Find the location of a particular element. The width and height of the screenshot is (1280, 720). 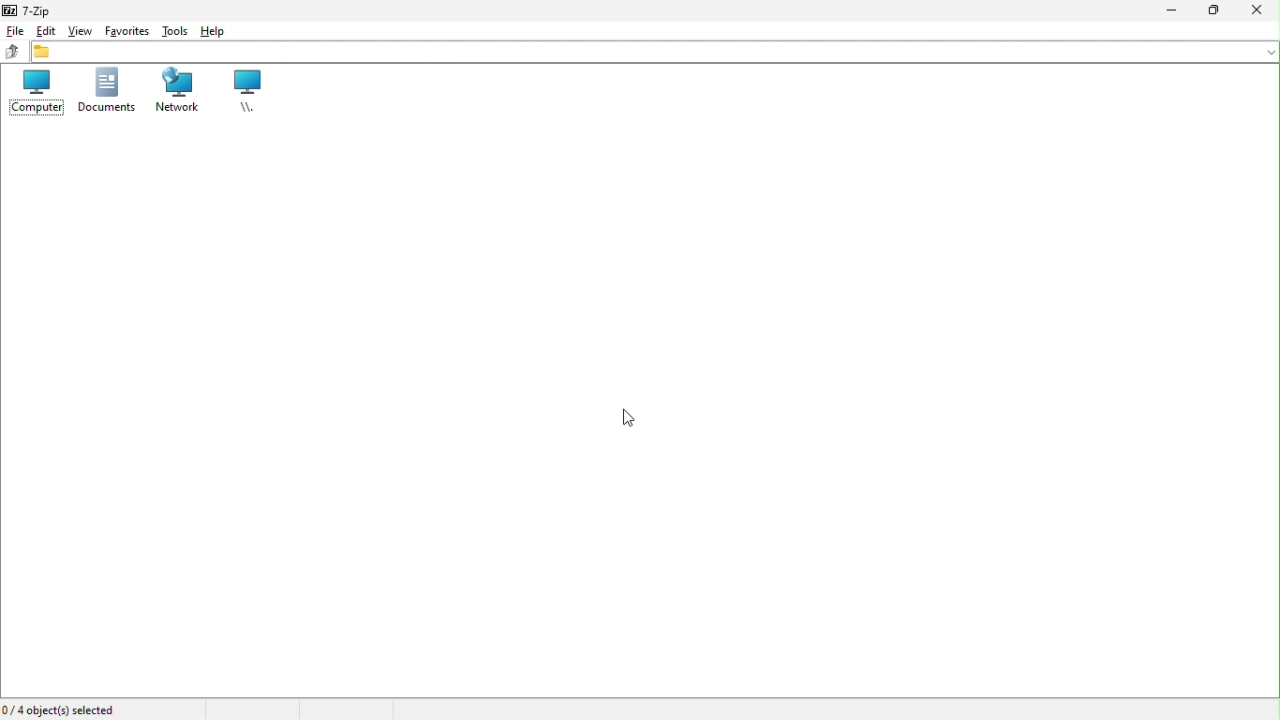

Favourite is located at coordinates (123, 30).